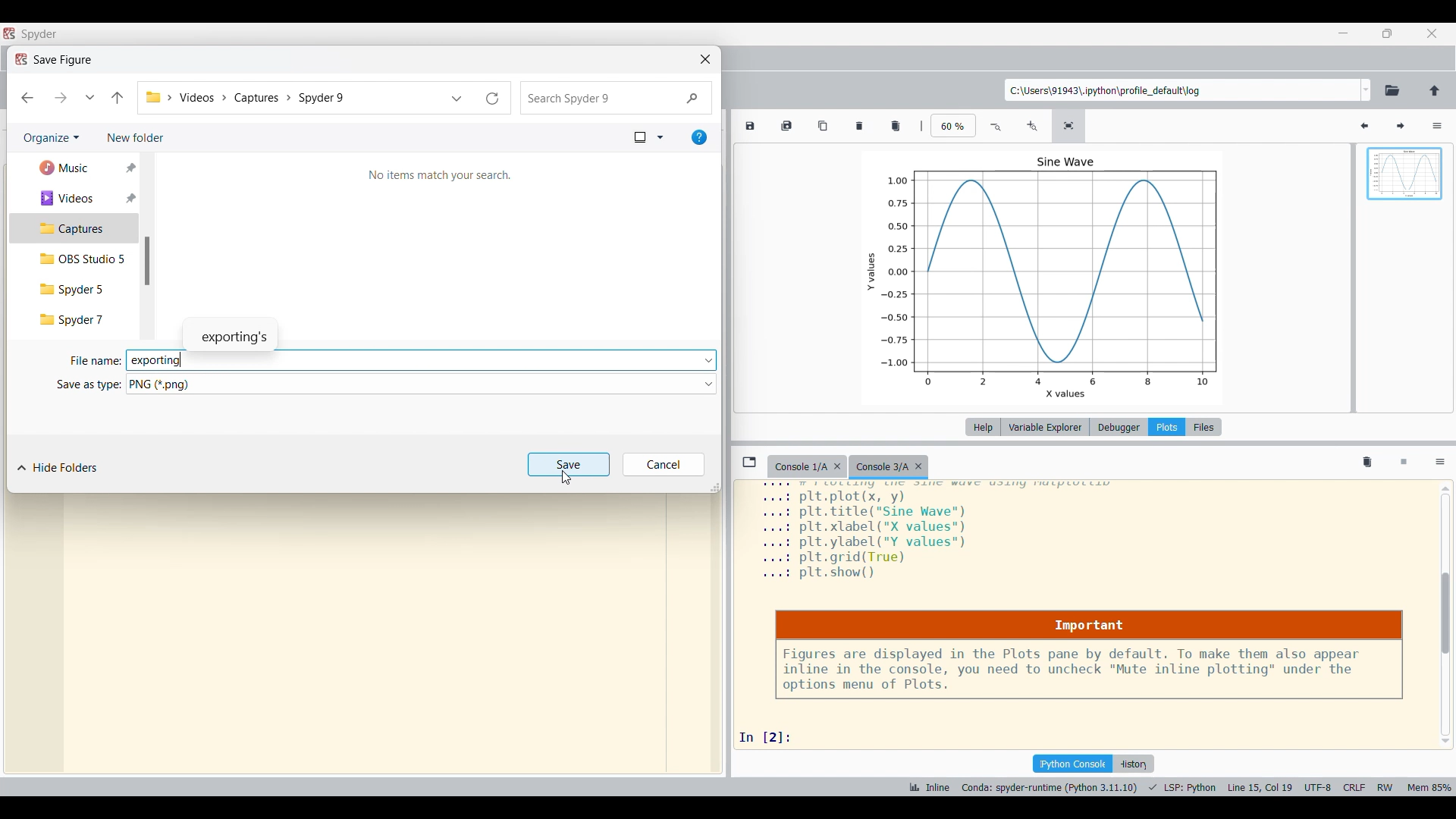 This screenshot has width=1456, height=819. I want to click on Preview pane, so click(1405, 187).